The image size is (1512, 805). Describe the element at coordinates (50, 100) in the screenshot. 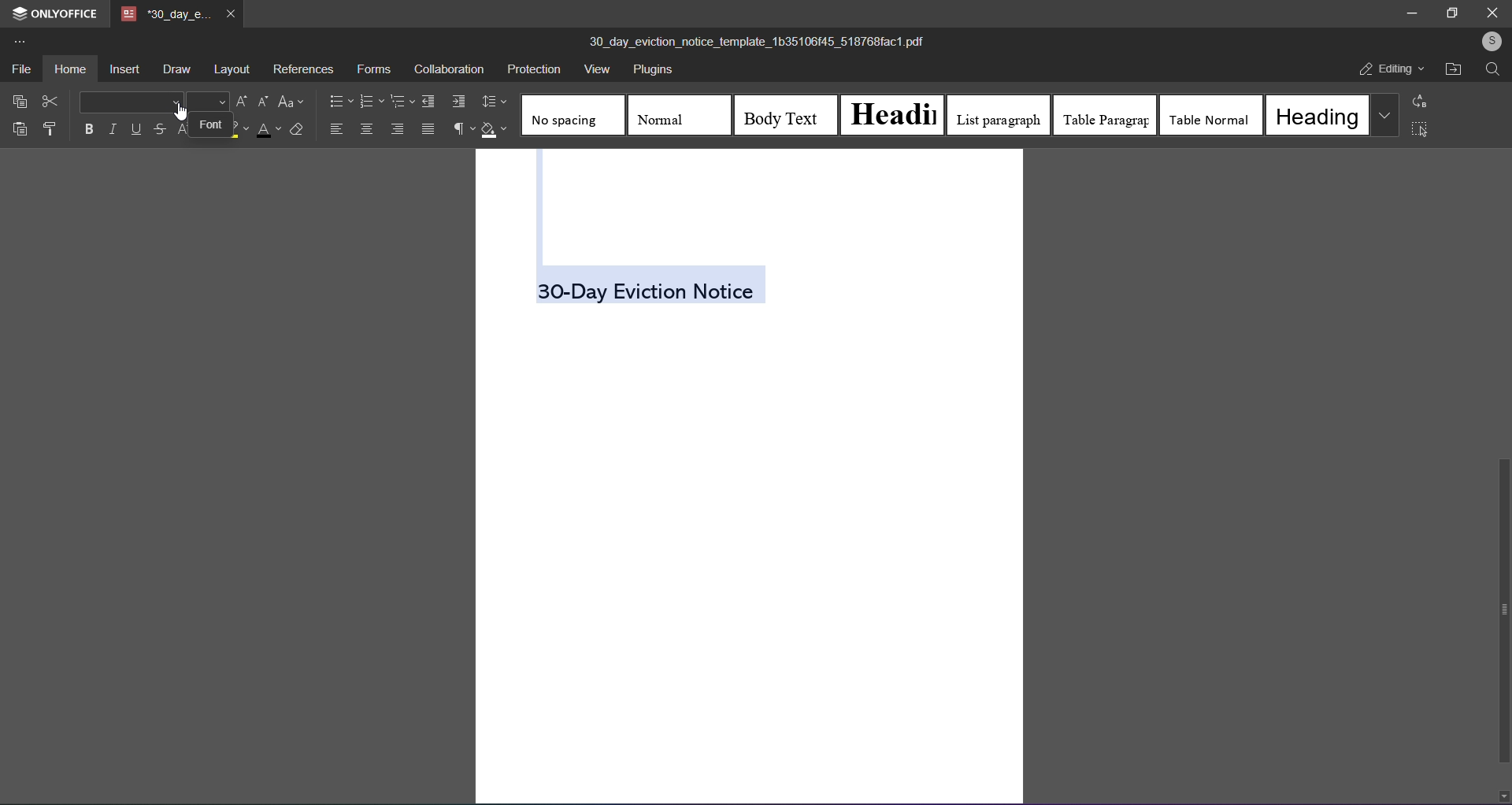

I see `cut` at that location.